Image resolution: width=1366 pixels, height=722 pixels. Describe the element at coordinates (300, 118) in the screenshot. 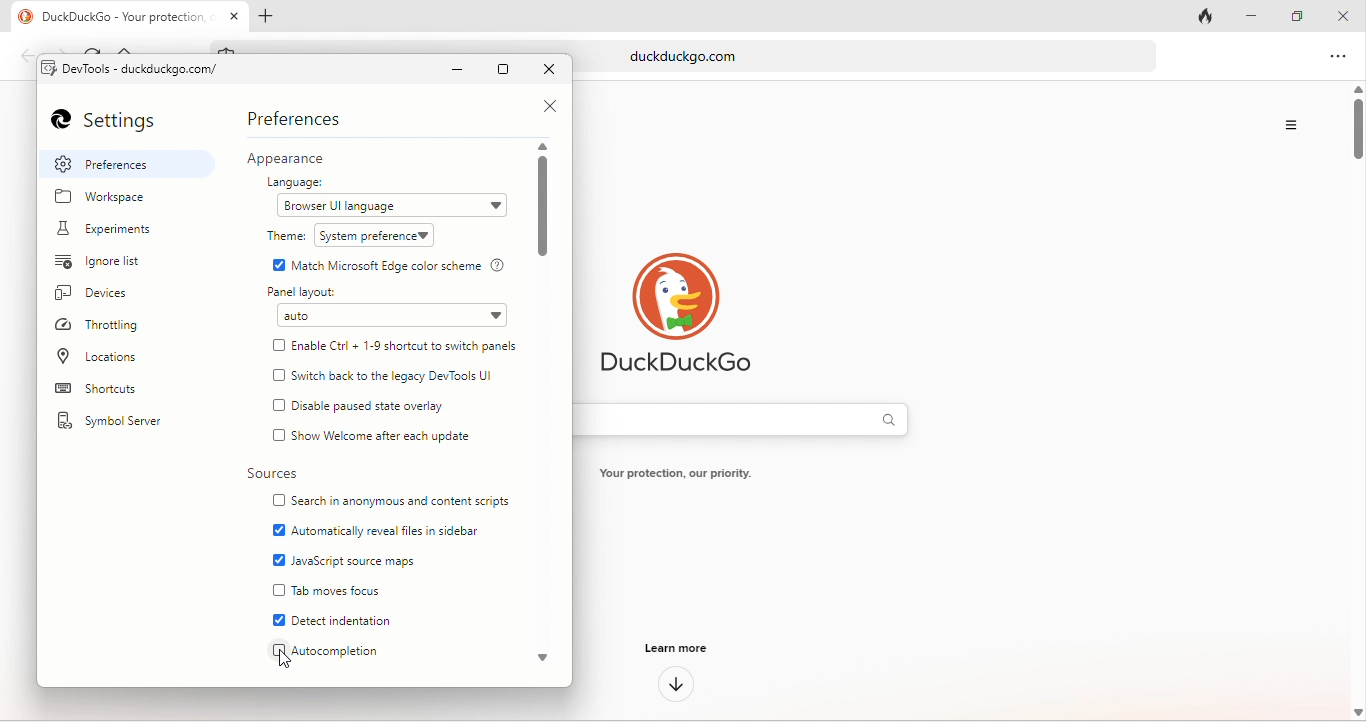

I see `preferences` at that location.